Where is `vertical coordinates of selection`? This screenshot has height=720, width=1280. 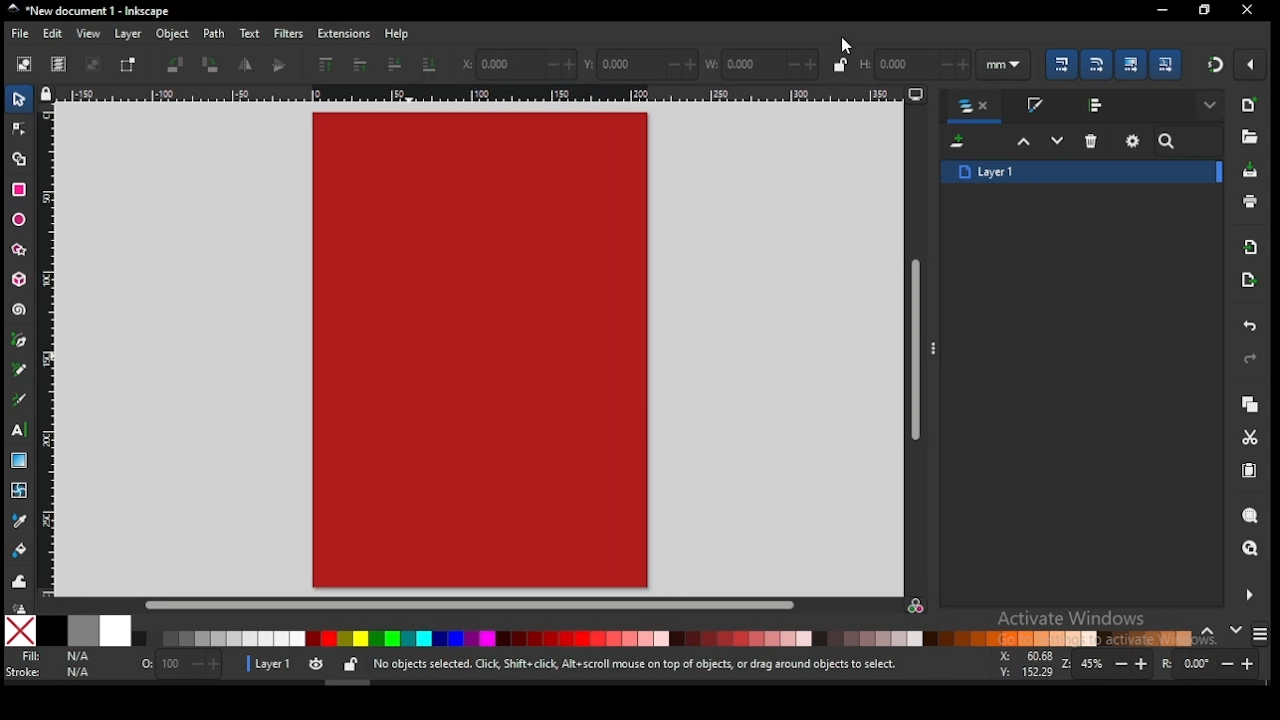 vertical coordinates of selection is located at coordinates (643, 65).